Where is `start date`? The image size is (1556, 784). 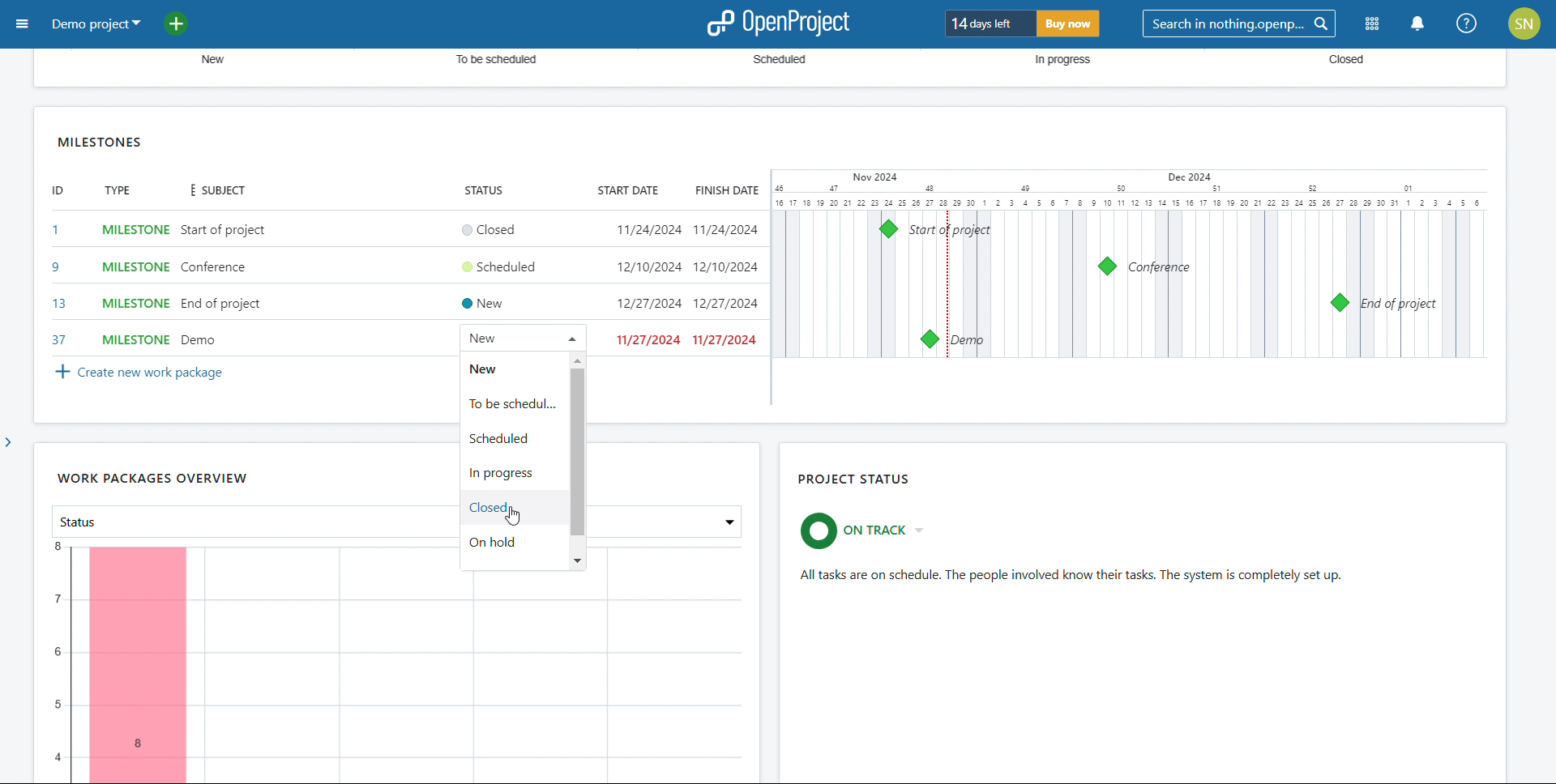 start date is located at coordinates (626, 190).